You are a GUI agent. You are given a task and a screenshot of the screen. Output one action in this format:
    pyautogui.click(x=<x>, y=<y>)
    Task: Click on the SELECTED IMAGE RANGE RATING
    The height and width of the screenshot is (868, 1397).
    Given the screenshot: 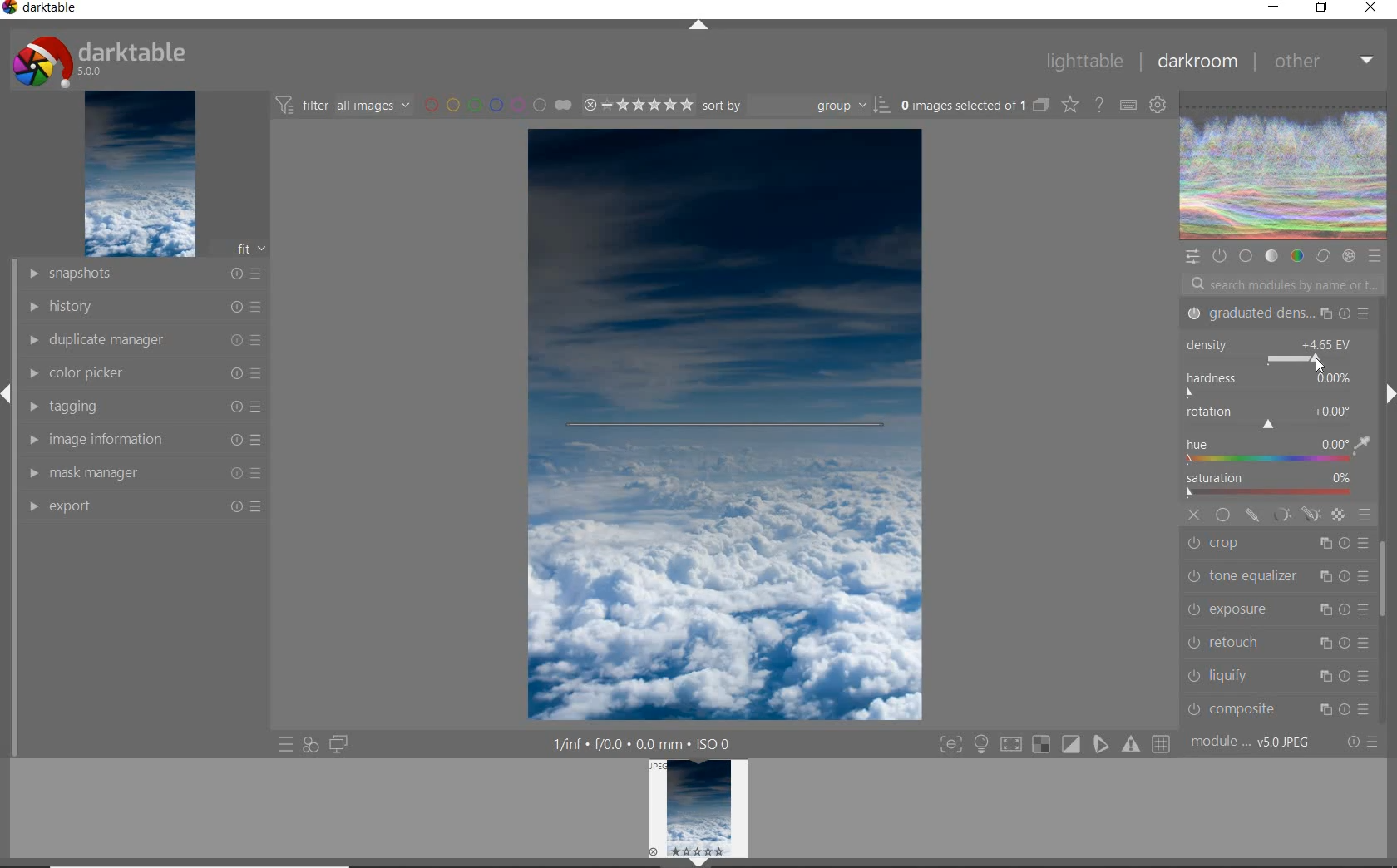 What is the action you would take?
    pyautogui.click(x=635, y=102)
    